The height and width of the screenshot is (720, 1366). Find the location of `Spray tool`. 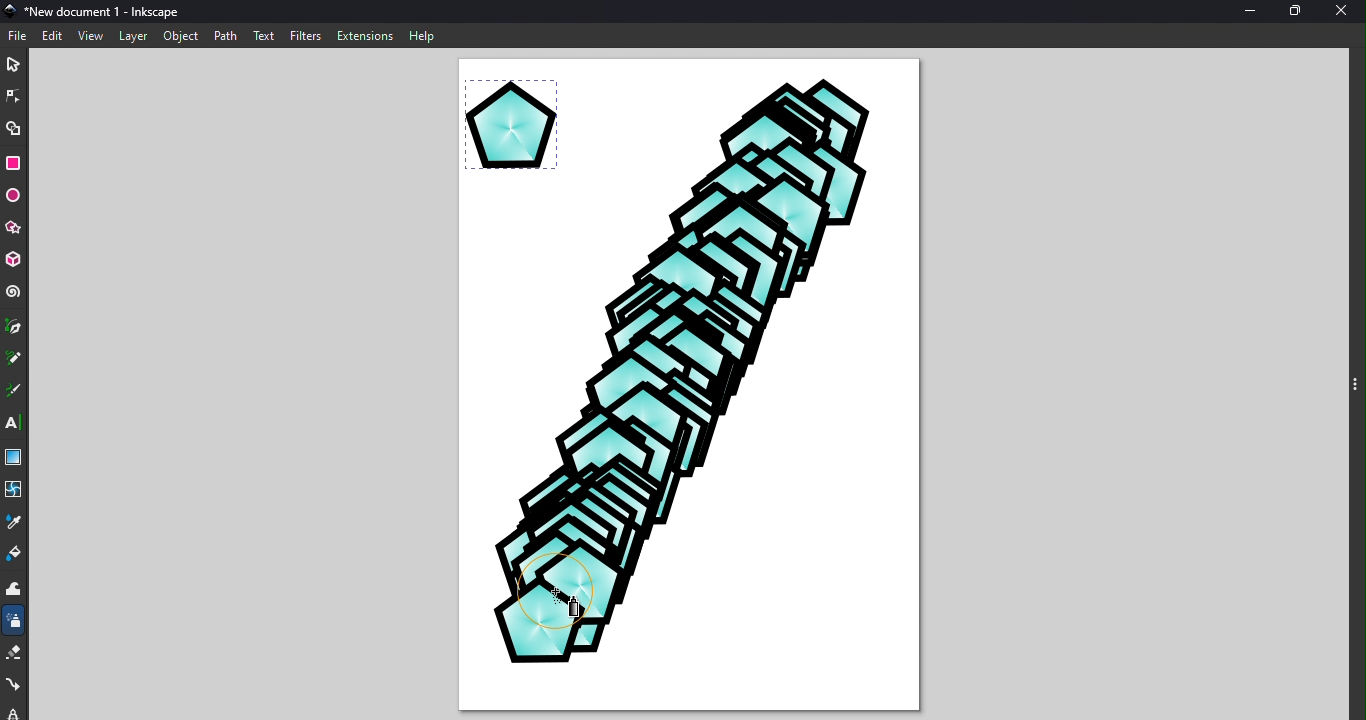

Spray tool is located at coordinates (14, 624).